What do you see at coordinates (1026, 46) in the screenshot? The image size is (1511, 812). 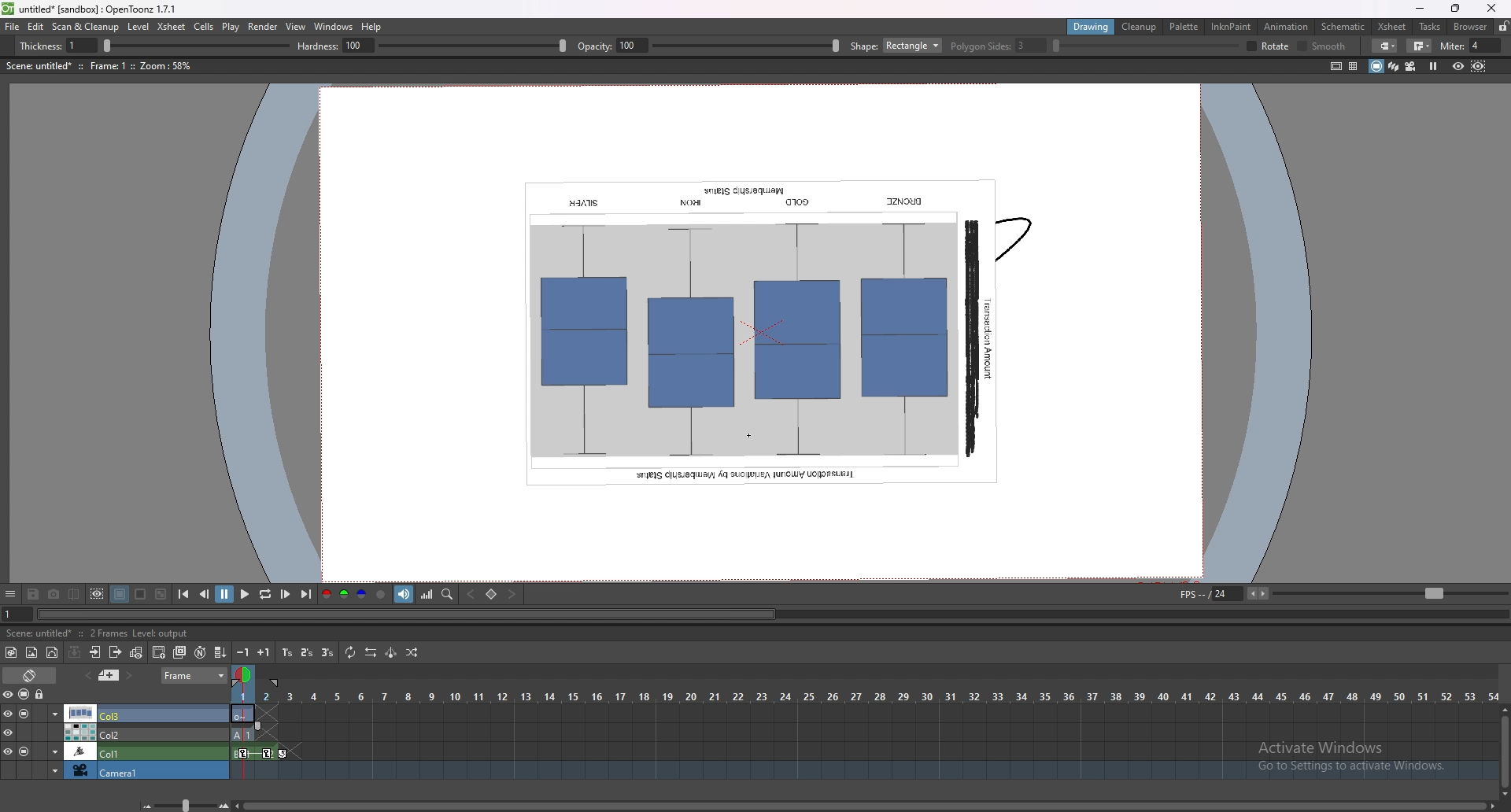 I see `rotate` at bounding box center [1026, 46].